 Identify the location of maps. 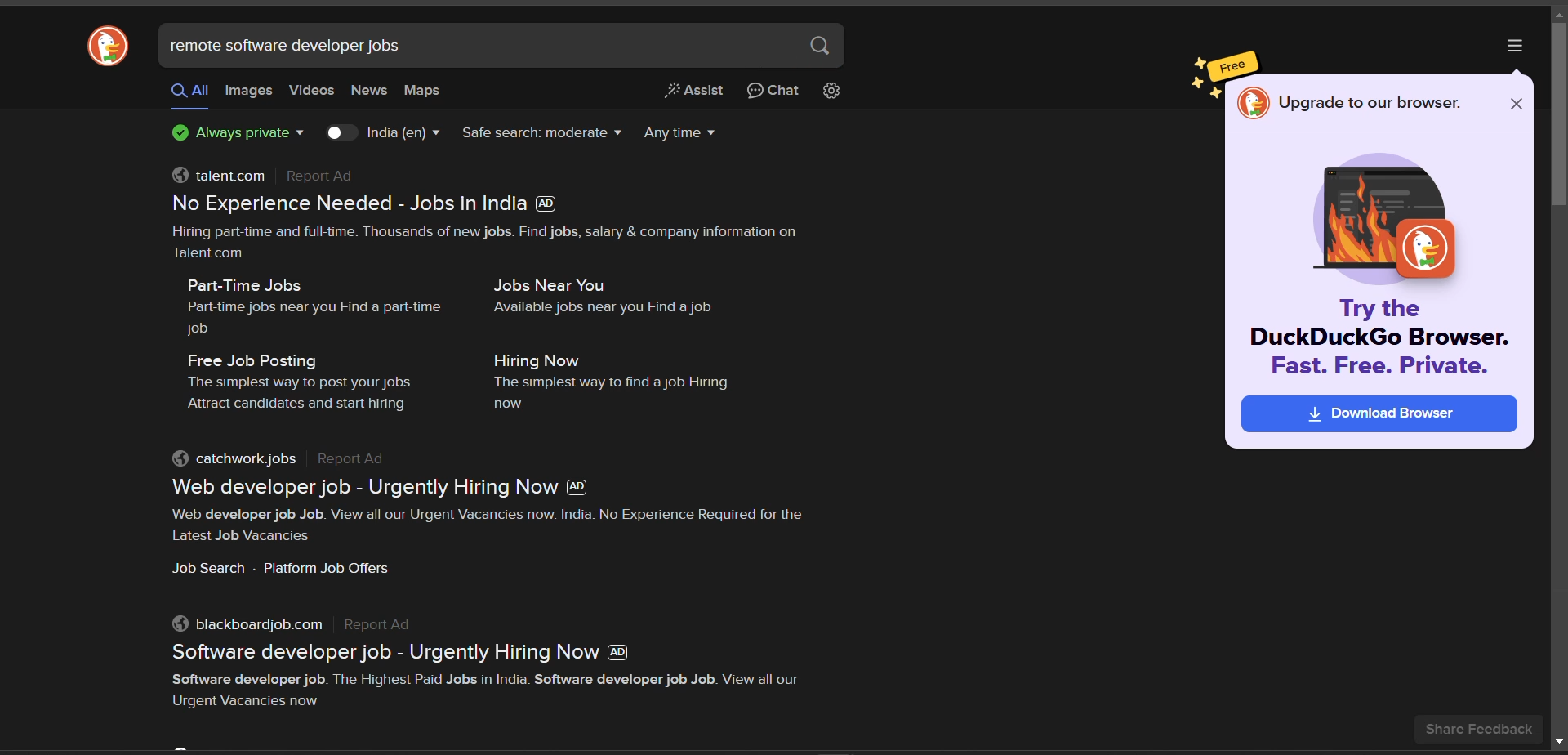
(427, 92).